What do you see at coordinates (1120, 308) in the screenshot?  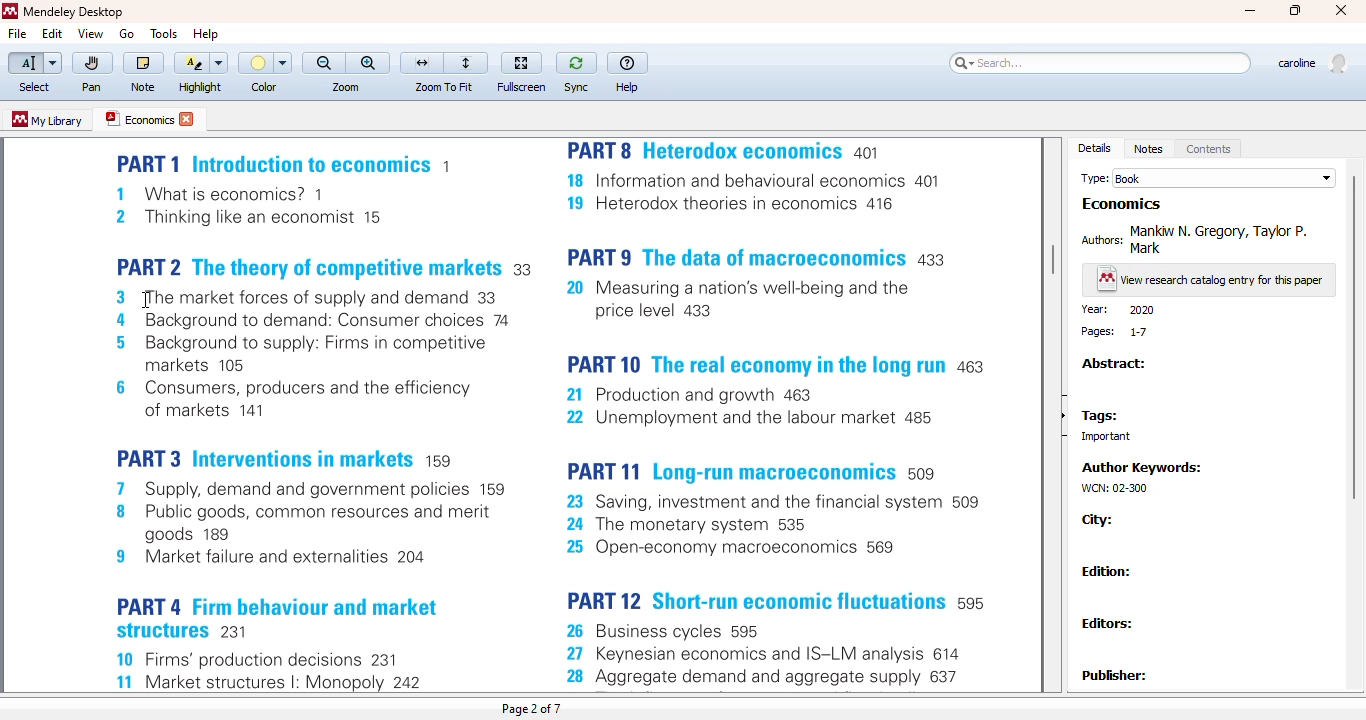 I see `Year: 2020` at bounding box center [1120, 308].